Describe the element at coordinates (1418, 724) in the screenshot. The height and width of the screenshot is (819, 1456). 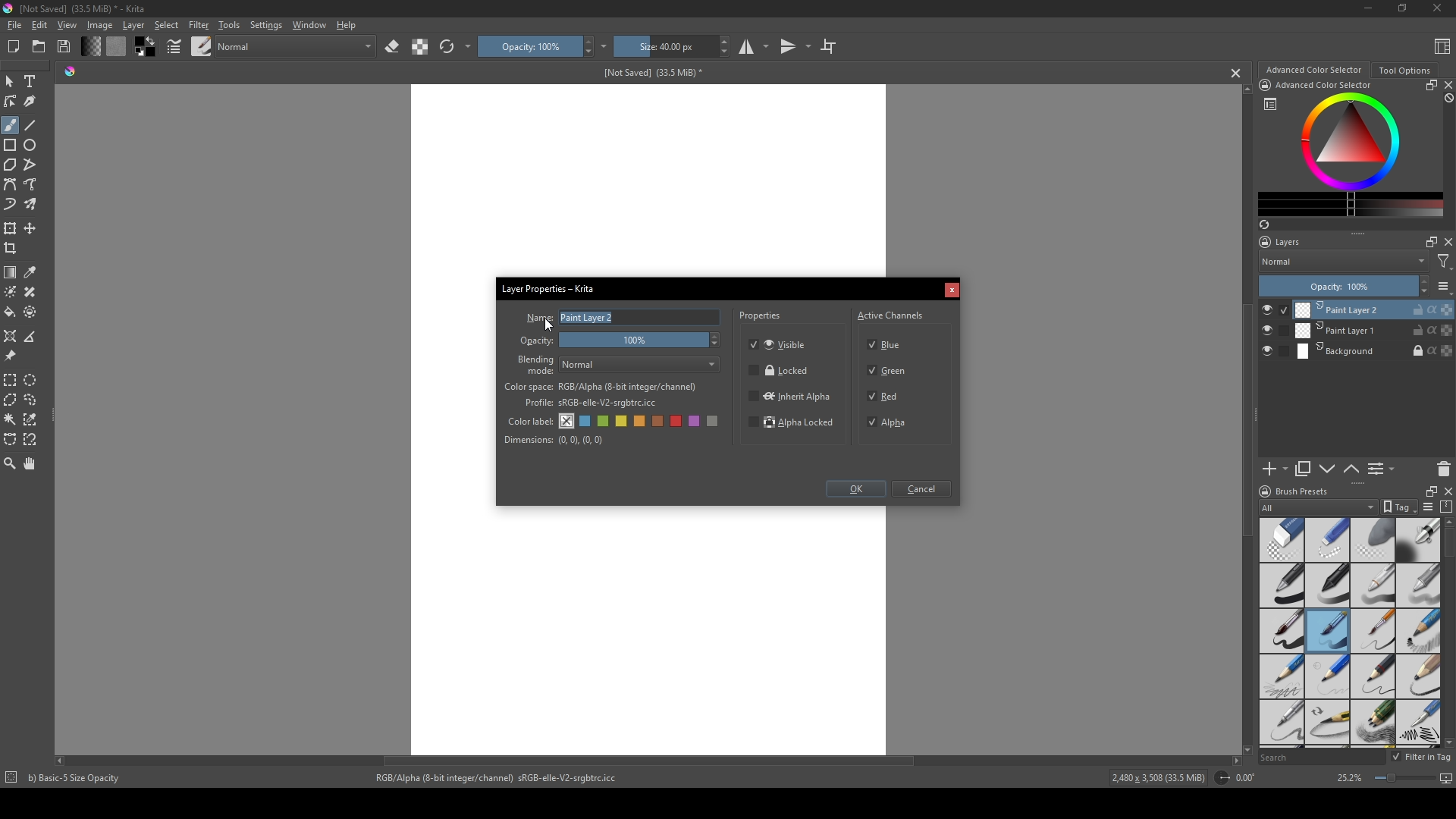
I see `calligraphy pen` at that location.